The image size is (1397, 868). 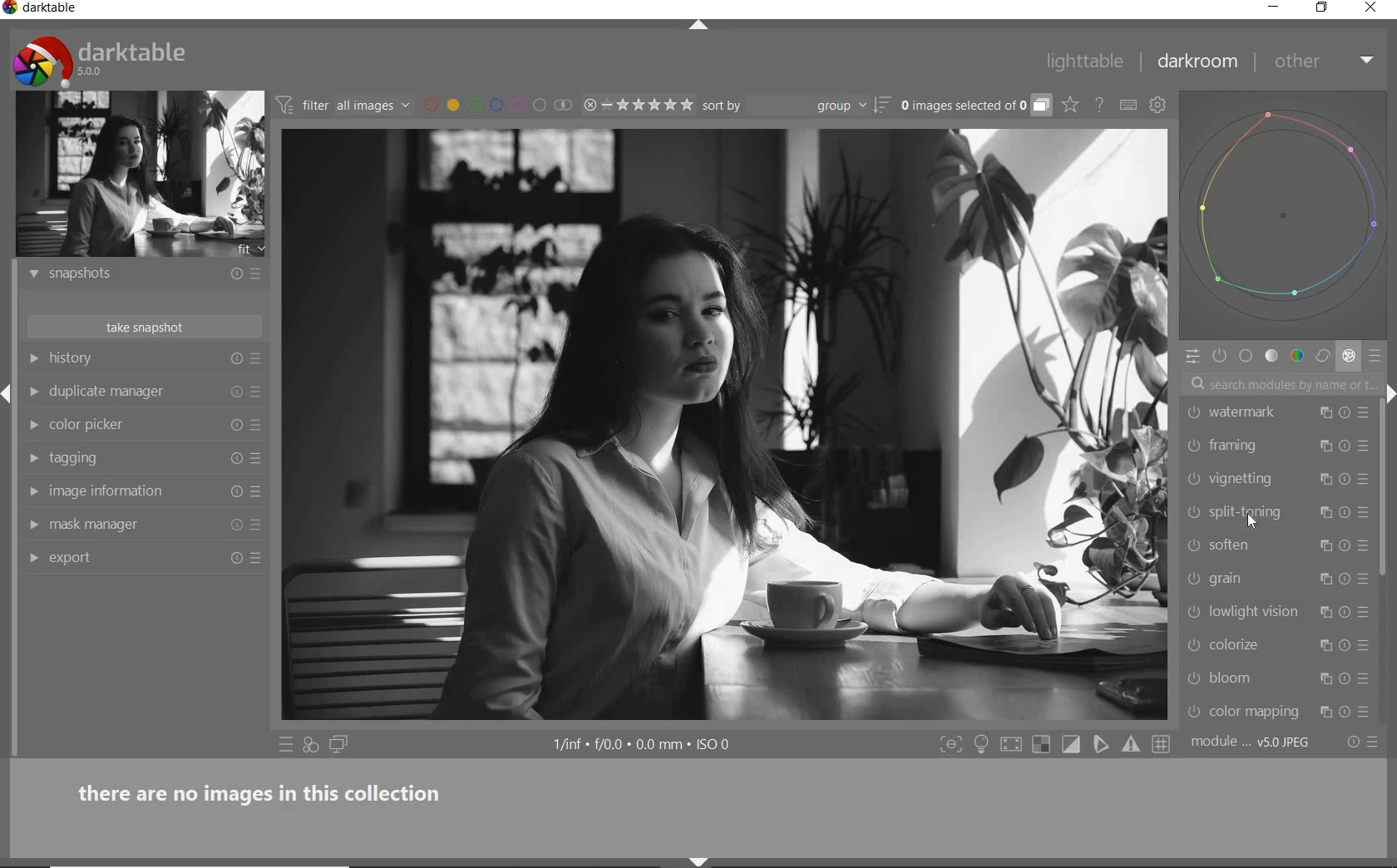 I want to click on toggle softproofing, so click(x=1103, y=747).